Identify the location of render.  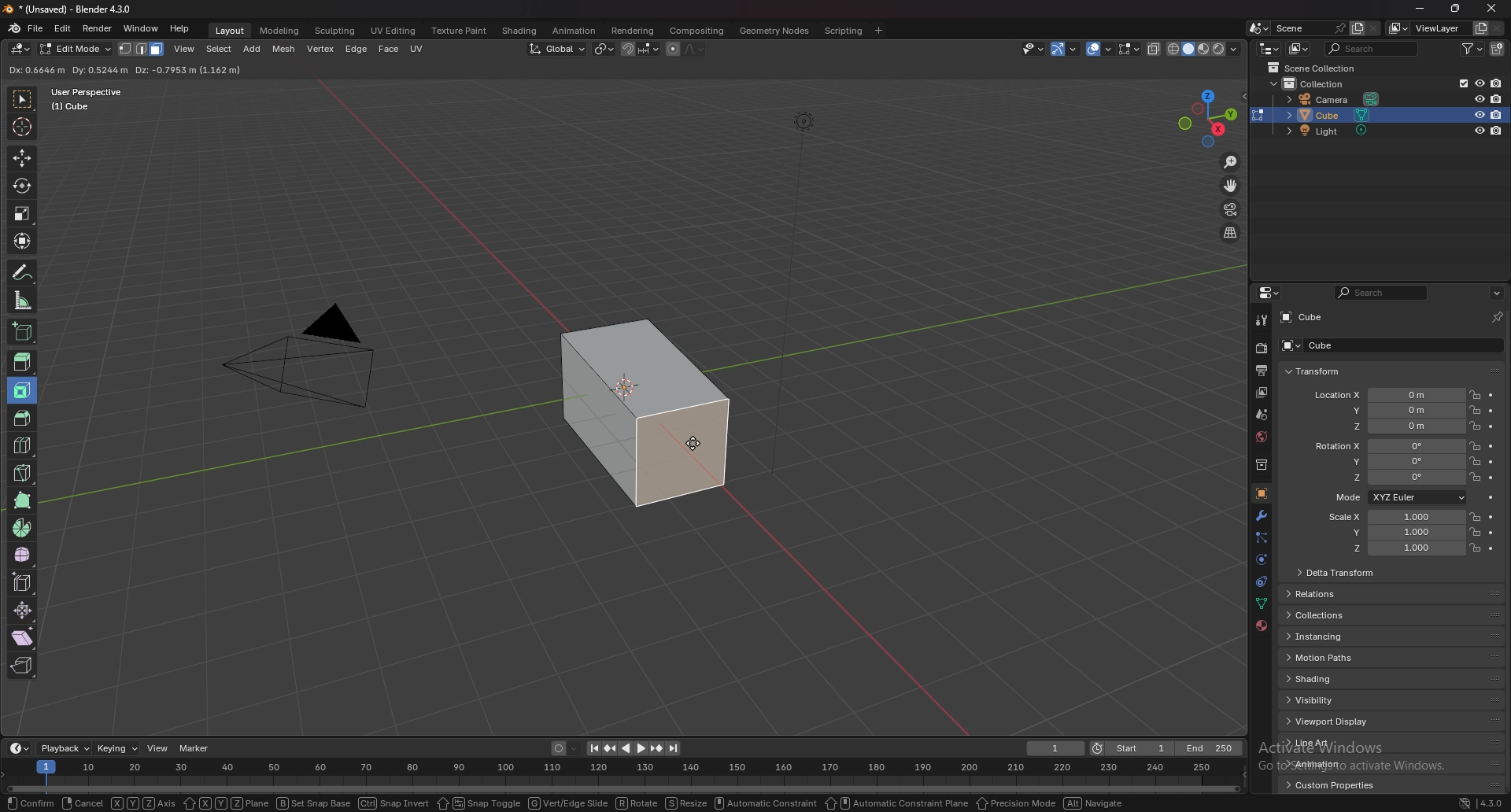
(1261, 349).